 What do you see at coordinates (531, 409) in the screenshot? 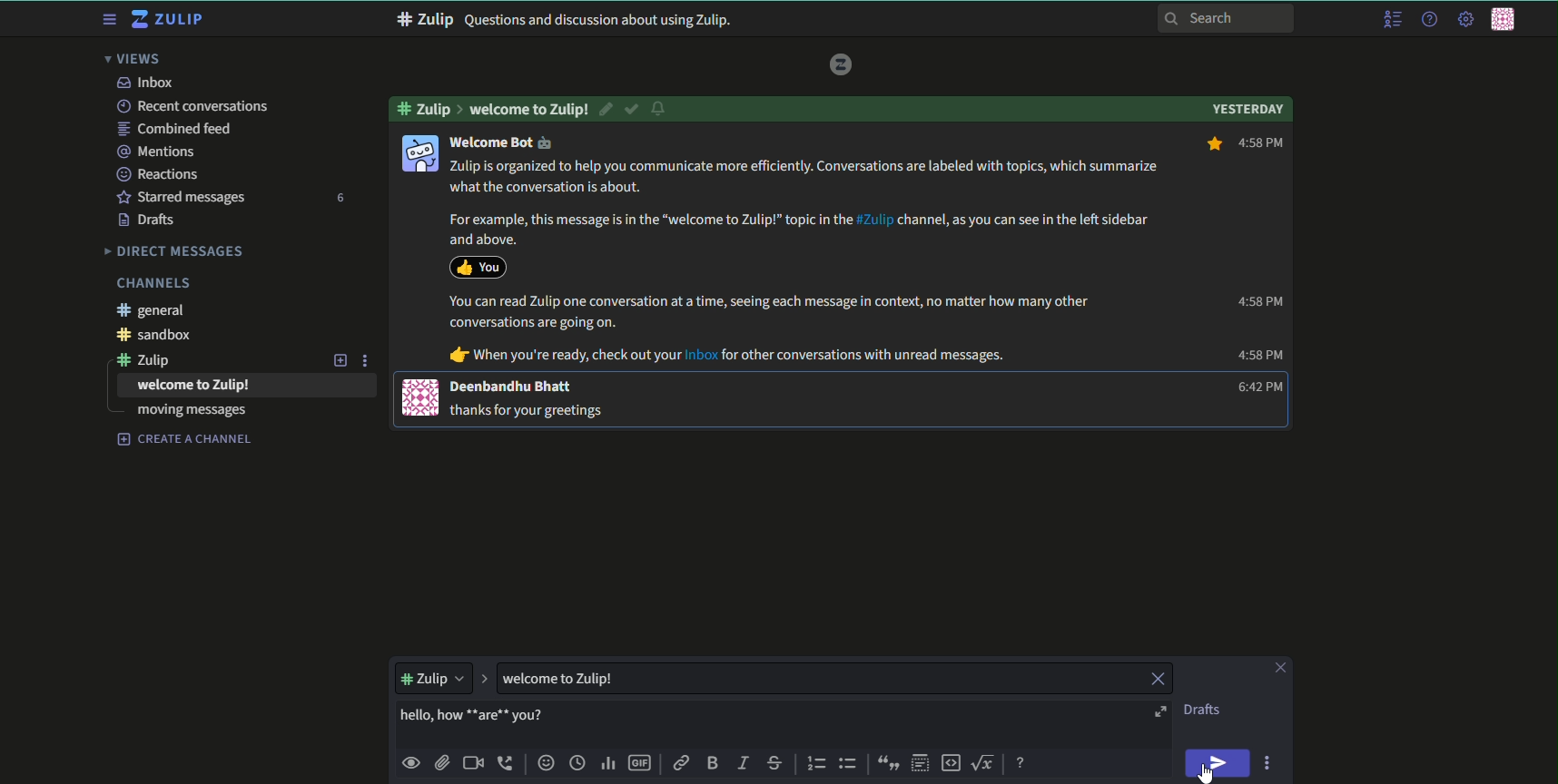
I see `j@ thanks for your greetings` at bounding box center [531, 409].